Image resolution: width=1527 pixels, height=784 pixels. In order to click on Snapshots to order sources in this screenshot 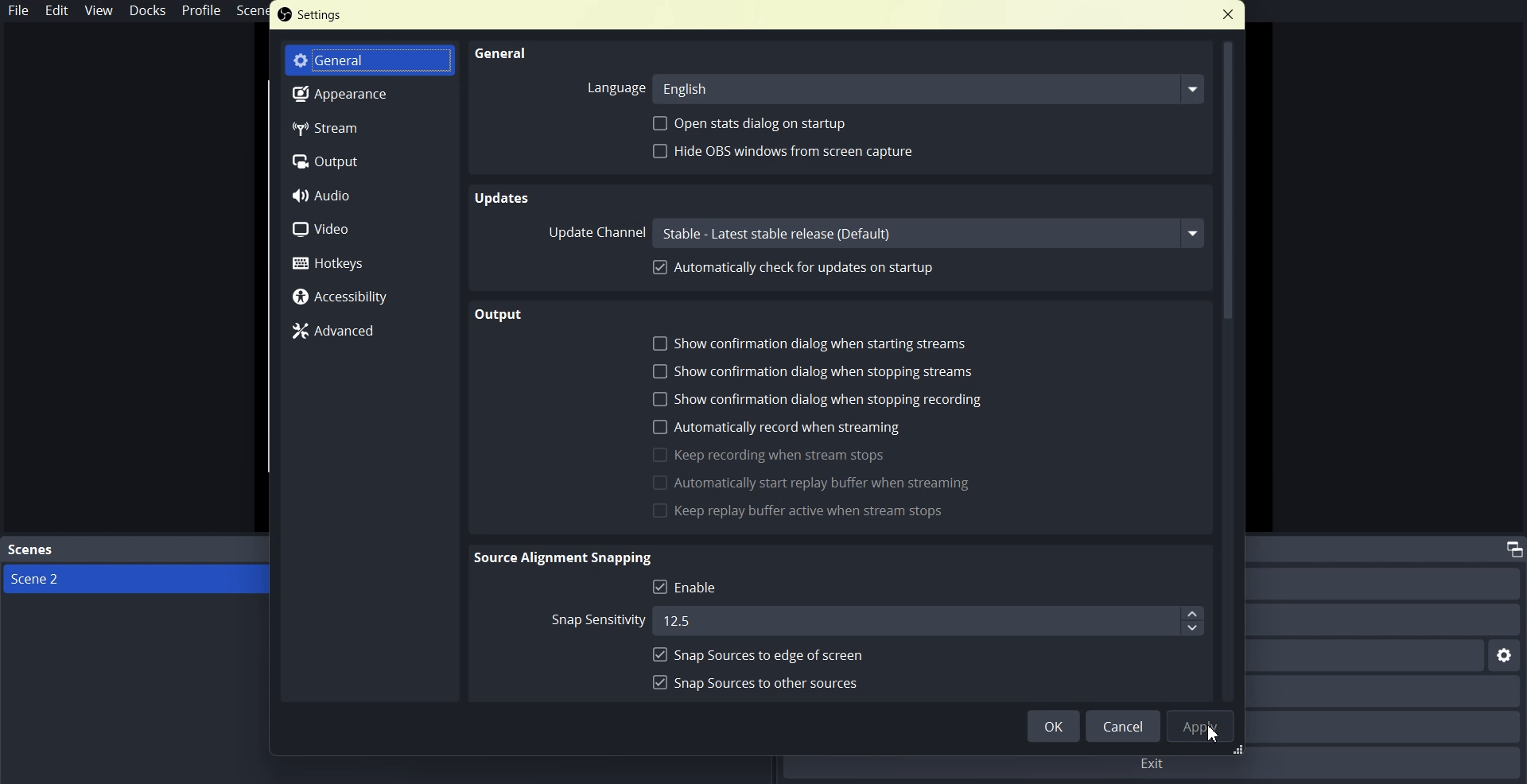, I will do `click(757, 681)`.